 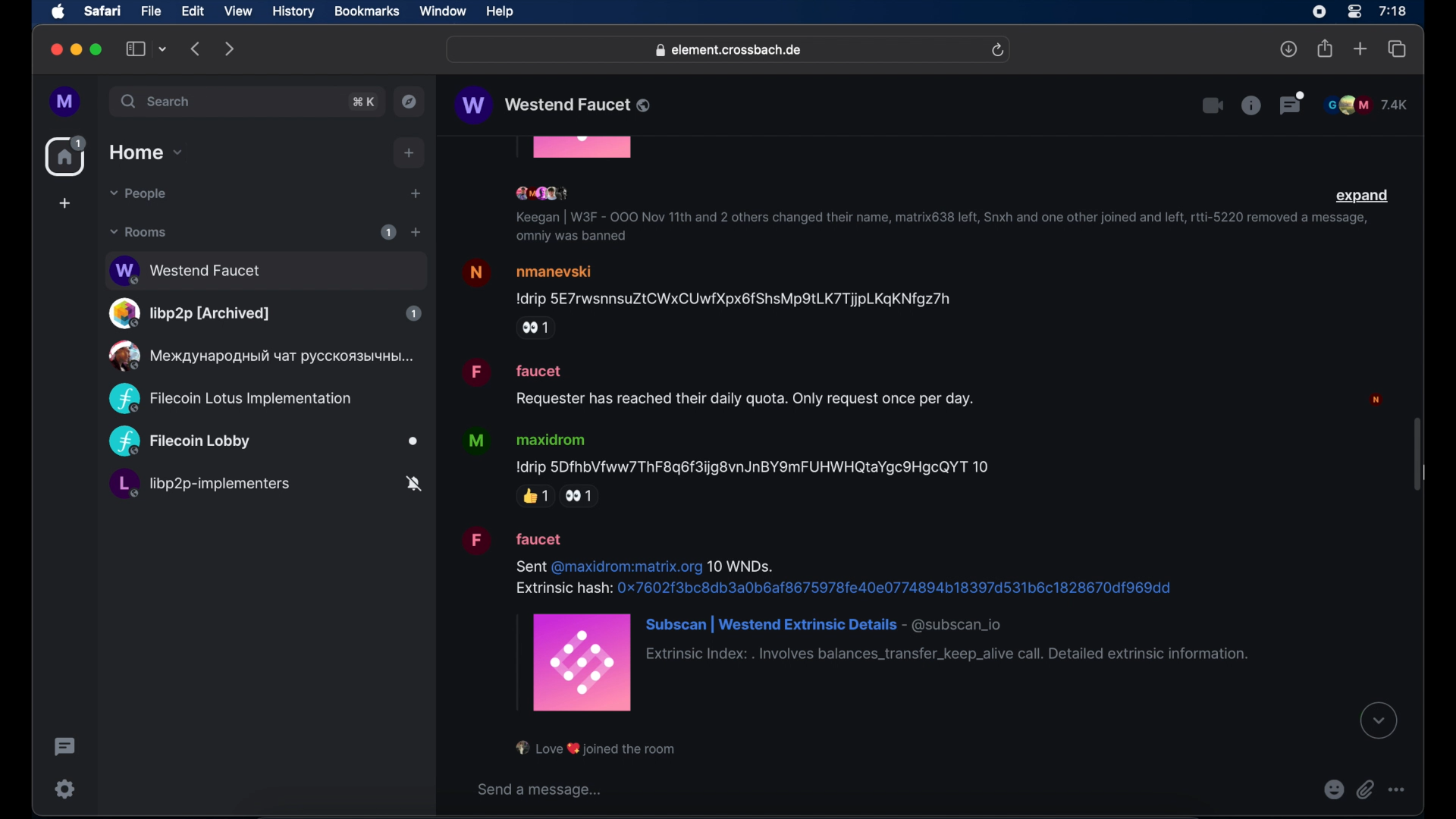 I want to click on thread activity, so click(x=66, y=747).